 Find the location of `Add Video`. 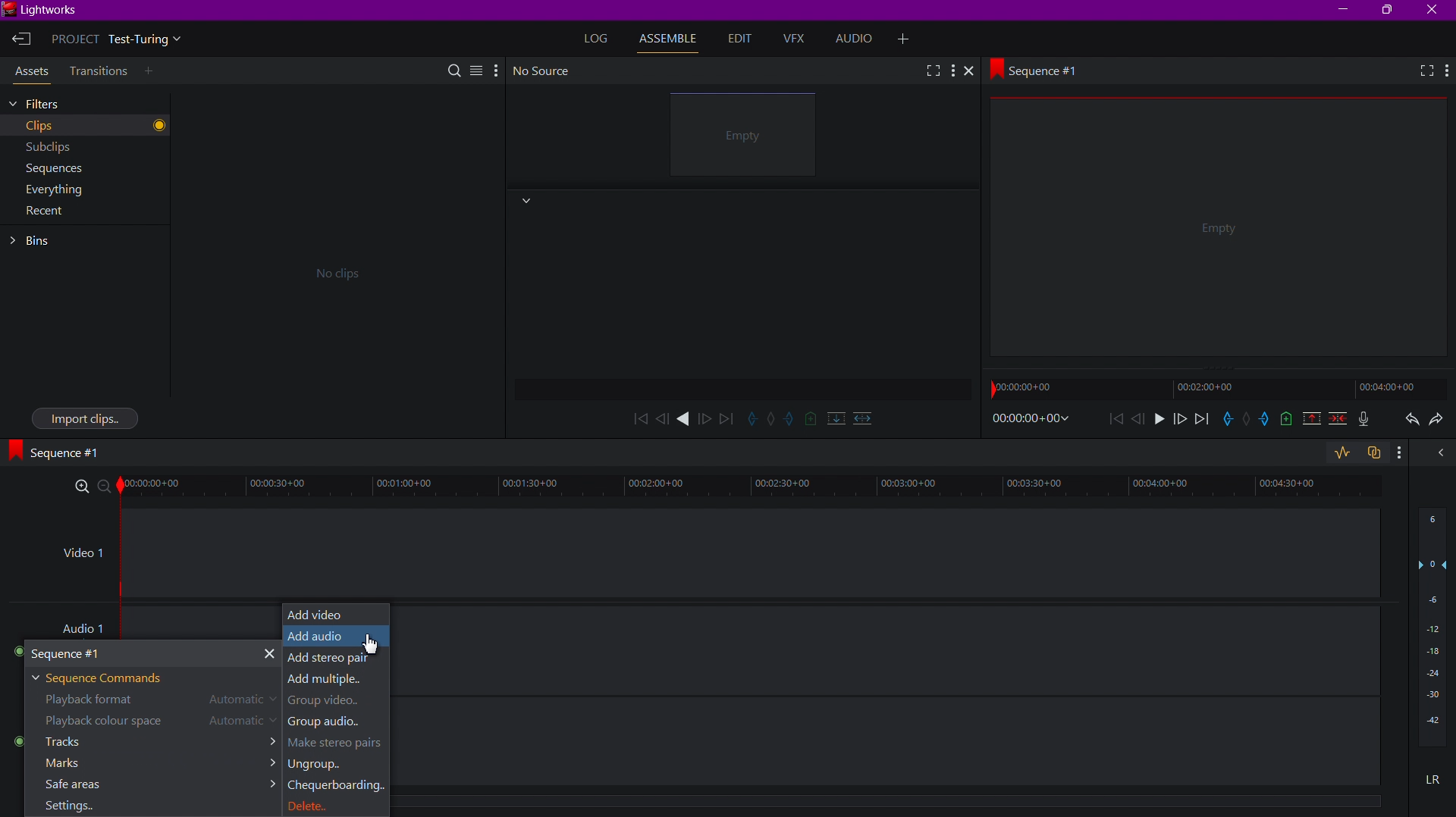

Add Video is located at coordinates (336, 613).